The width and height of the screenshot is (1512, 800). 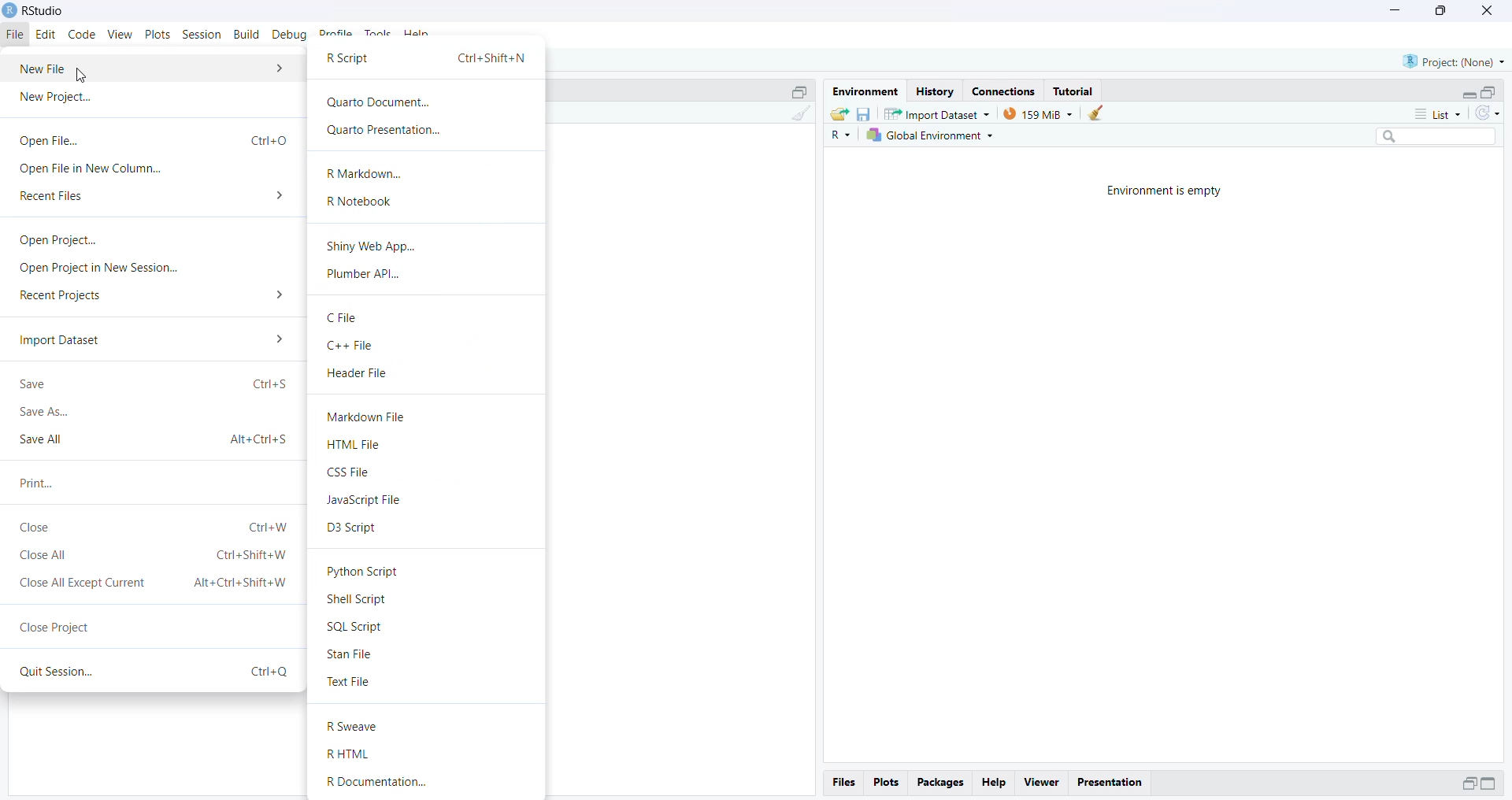 What do you see at coordinates (1041, 783) in the screenshot?
I see `viewer` at bounding box center [1041, 783].